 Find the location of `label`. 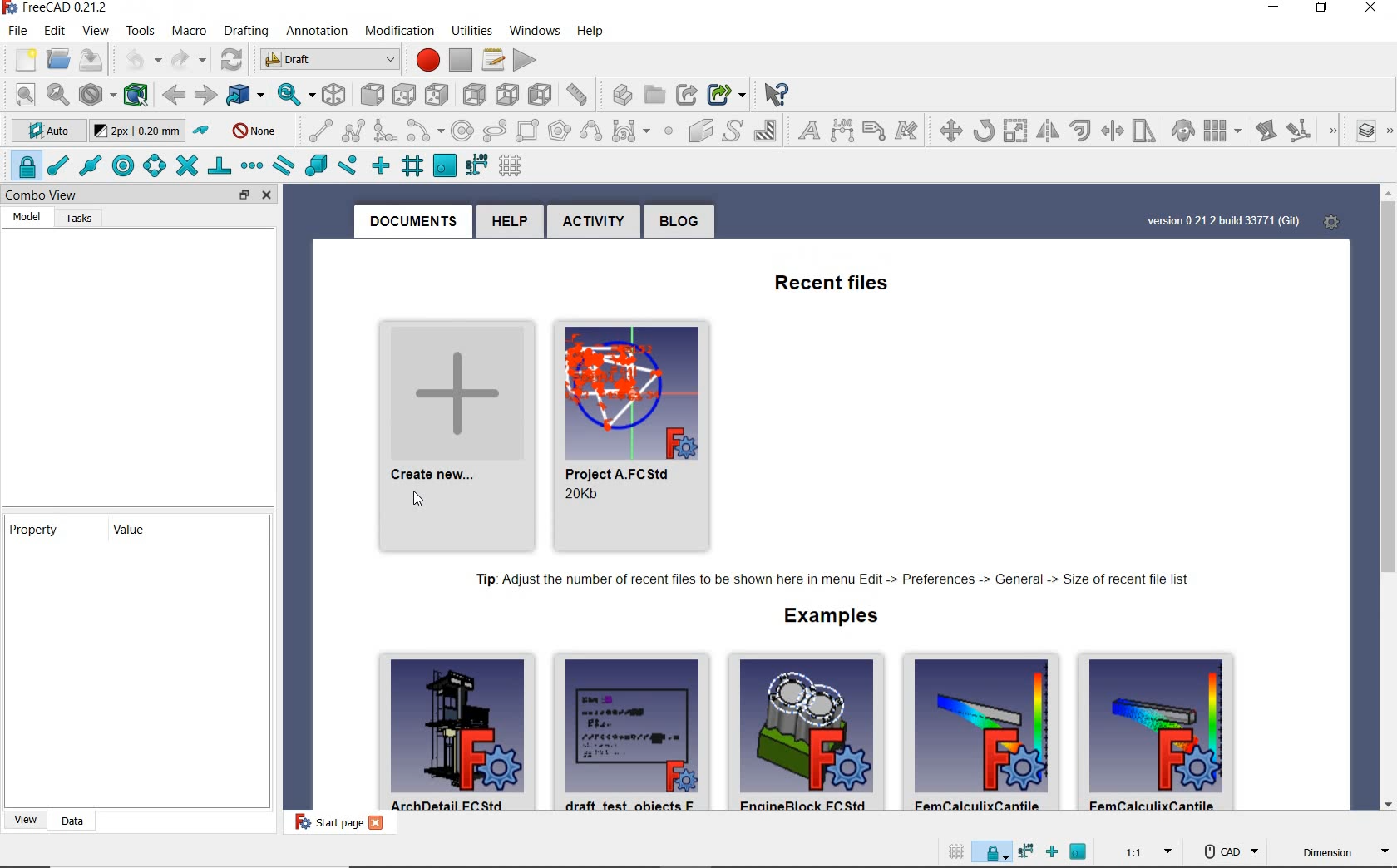

label is located at coordinates (871, 131).